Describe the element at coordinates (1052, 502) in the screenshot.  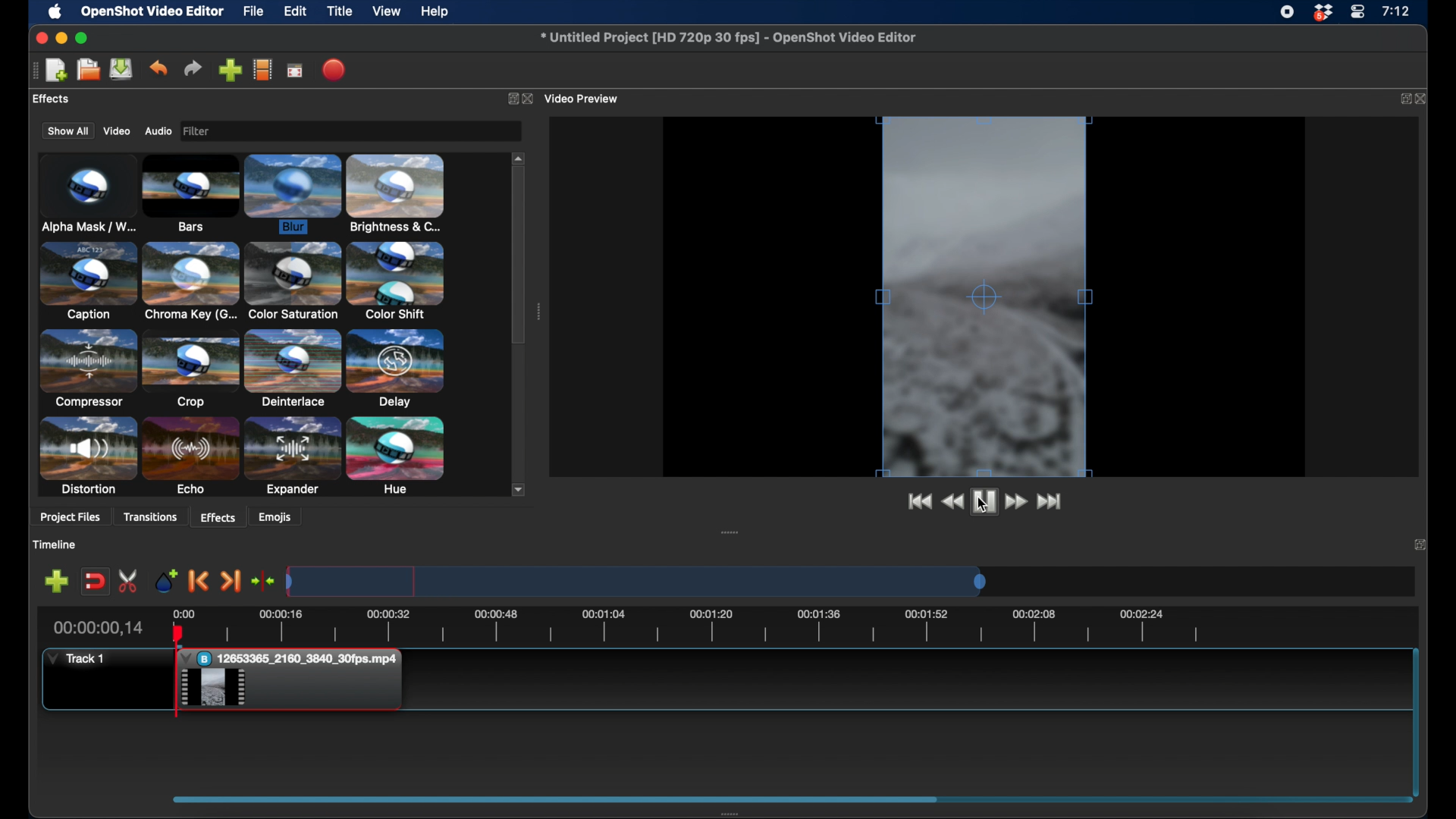
I see `jump to end` at that location.